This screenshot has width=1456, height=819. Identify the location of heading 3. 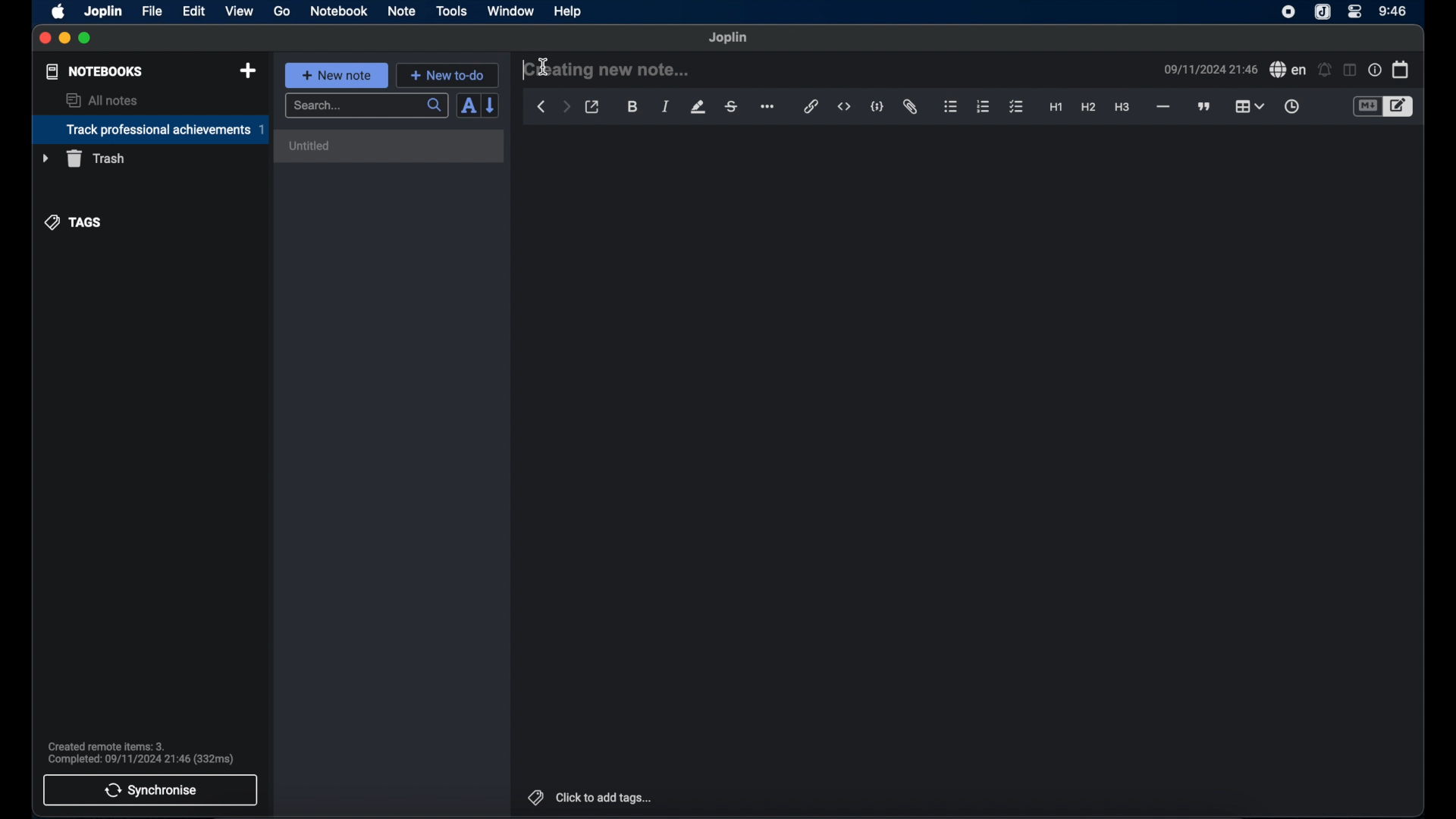
(1123, 108).